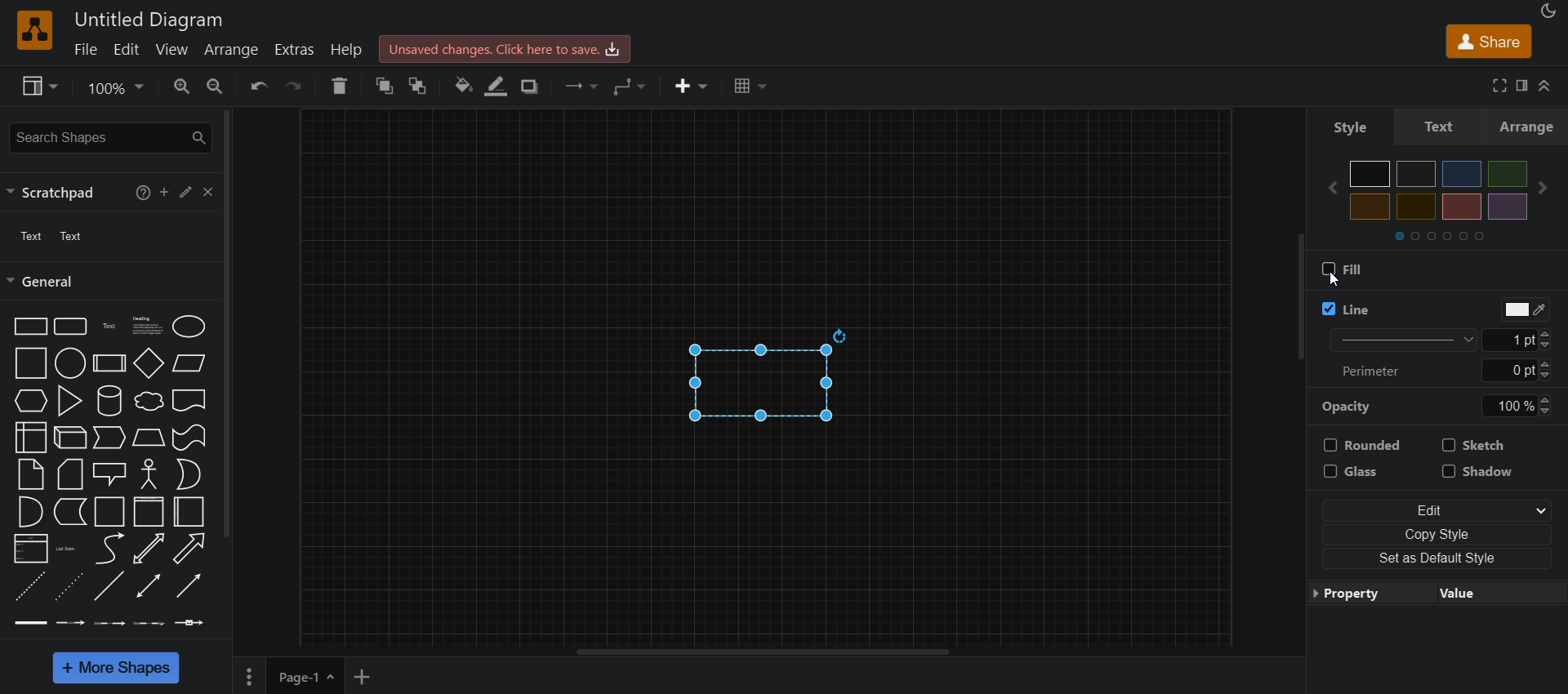  Describe the element at coordinates (765, 652) in the screenshot. I see `horizontal scroll bar` at that location.